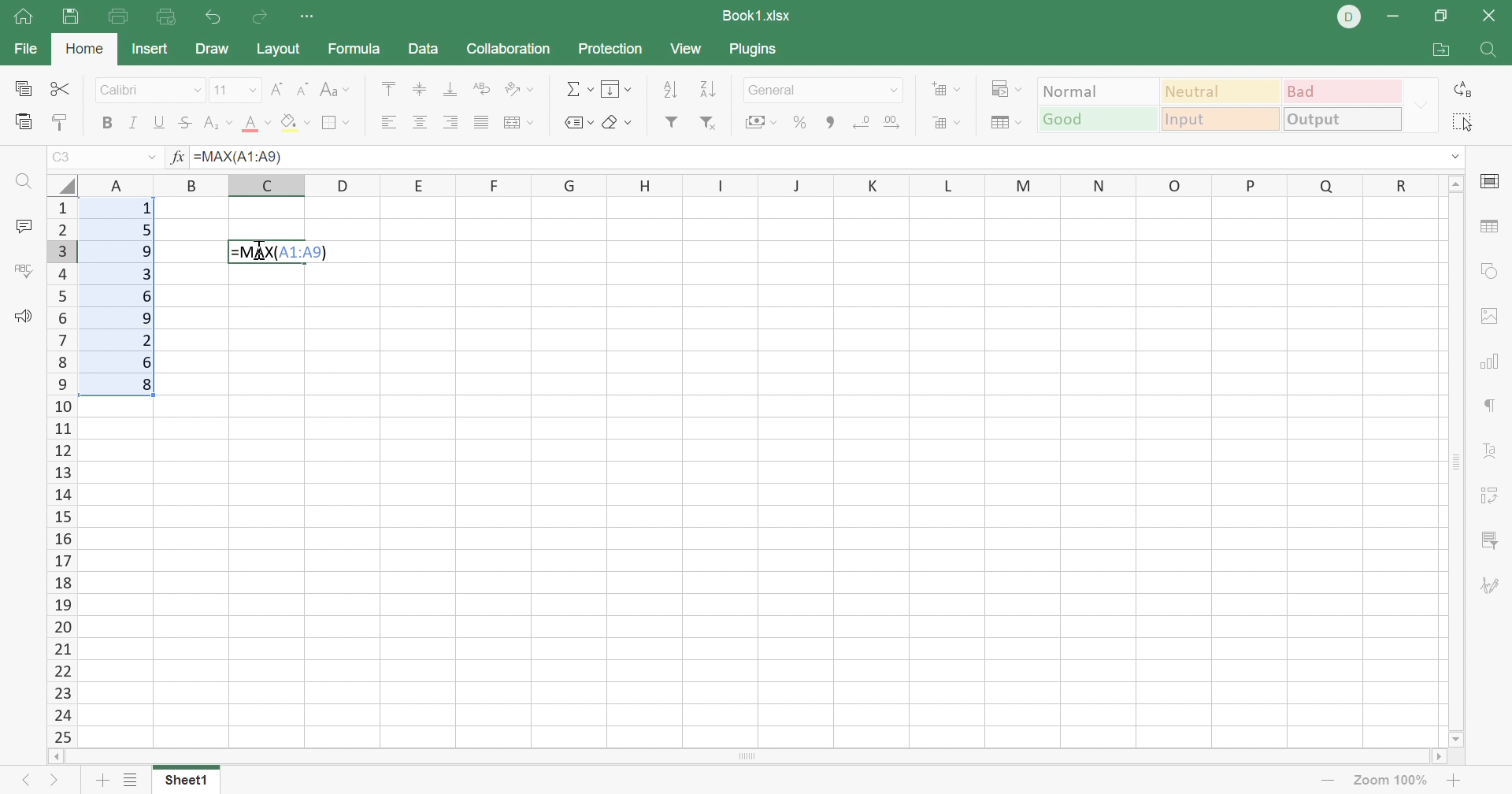  I want to click on Decrement font size, so click(301, 91).